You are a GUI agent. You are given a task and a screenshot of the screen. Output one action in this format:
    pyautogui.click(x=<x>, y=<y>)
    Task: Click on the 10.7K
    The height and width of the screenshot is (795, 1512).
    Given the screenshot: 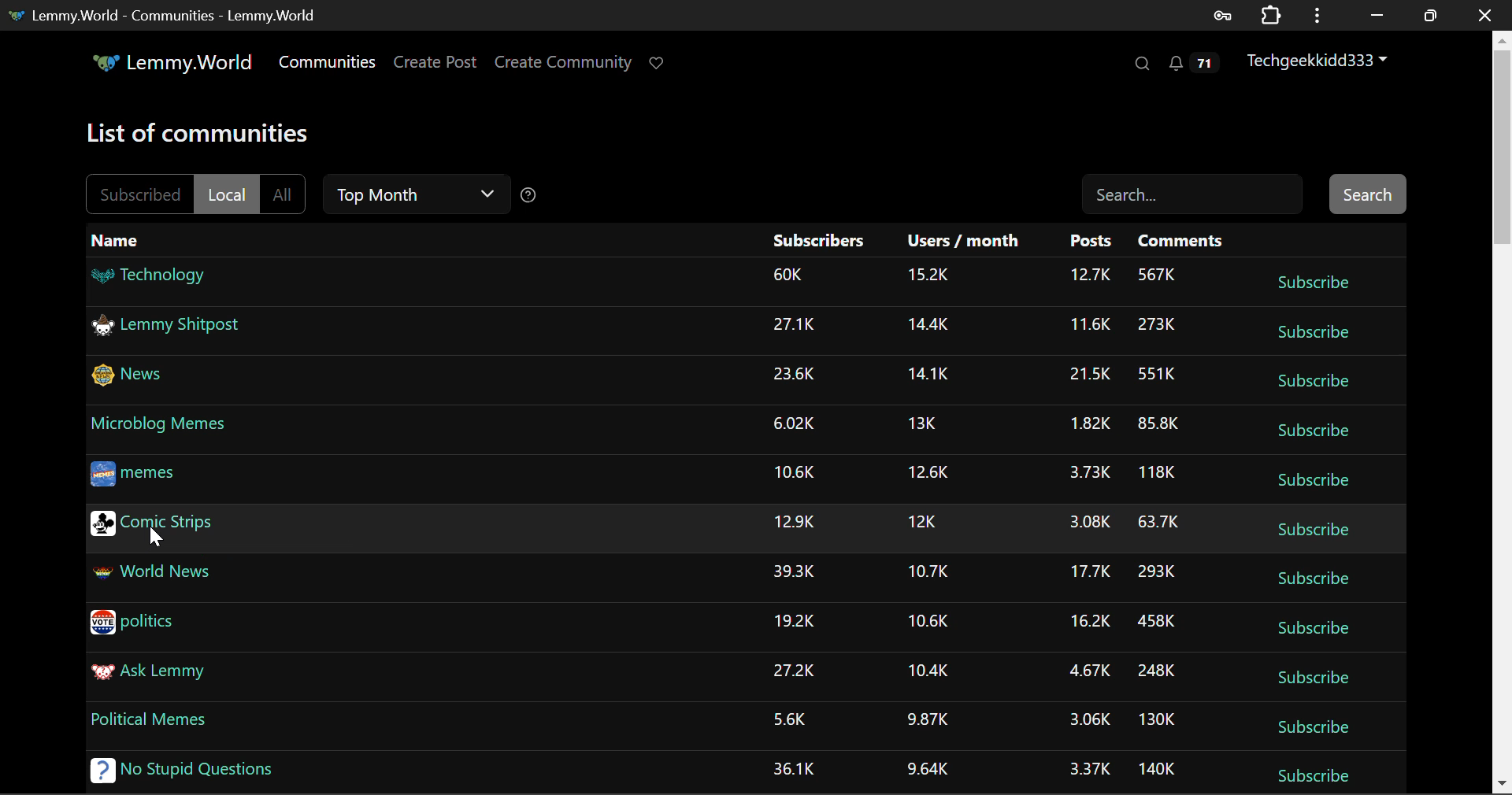 What is the action you would take?
    pyautogui.click(x=925, y=571)
    